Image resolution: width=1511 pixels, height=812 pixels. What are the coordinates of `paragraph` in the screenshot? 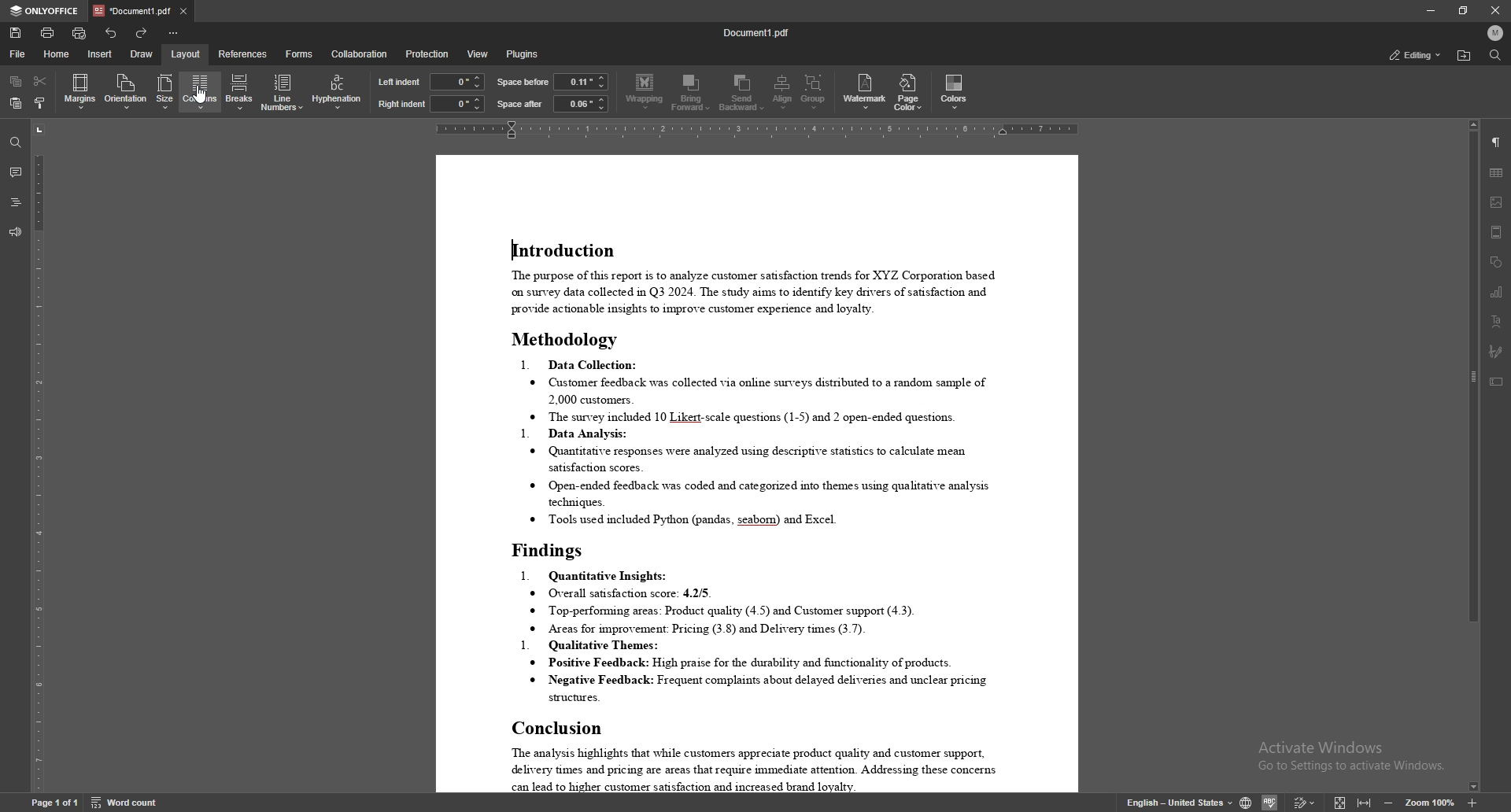 It's located at (1497, 142).